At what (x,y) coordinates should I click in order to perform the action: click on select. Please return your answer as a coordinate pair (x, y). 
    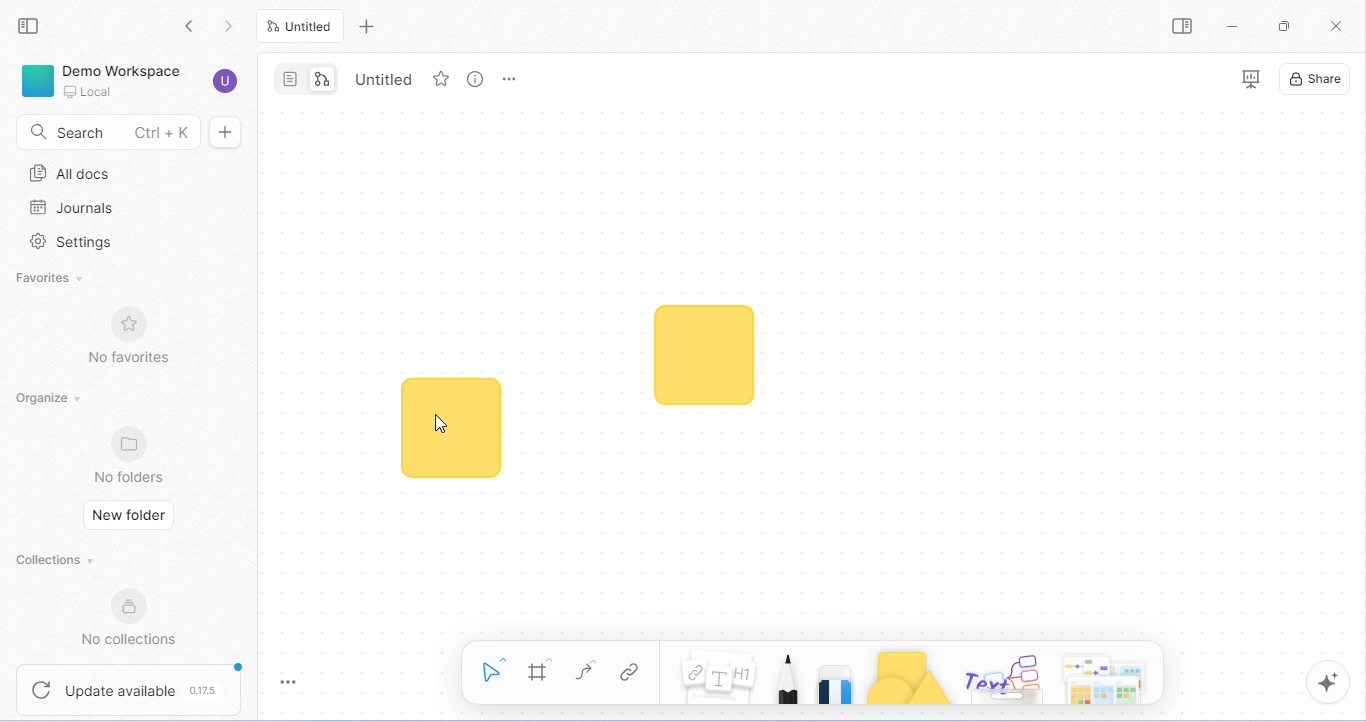
    Looking at the image, I should click on (496, 669).